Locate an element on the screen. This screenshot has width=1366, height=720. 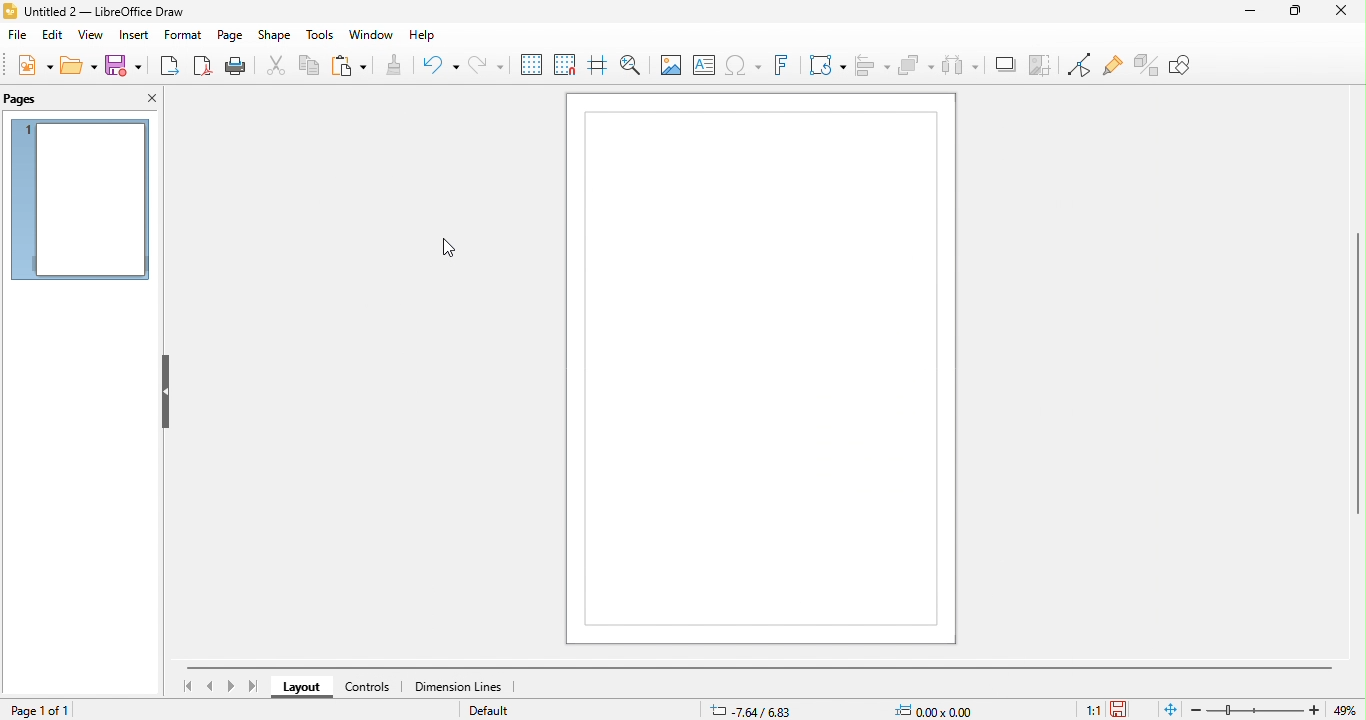
redo is located at coordinates (484, 65).